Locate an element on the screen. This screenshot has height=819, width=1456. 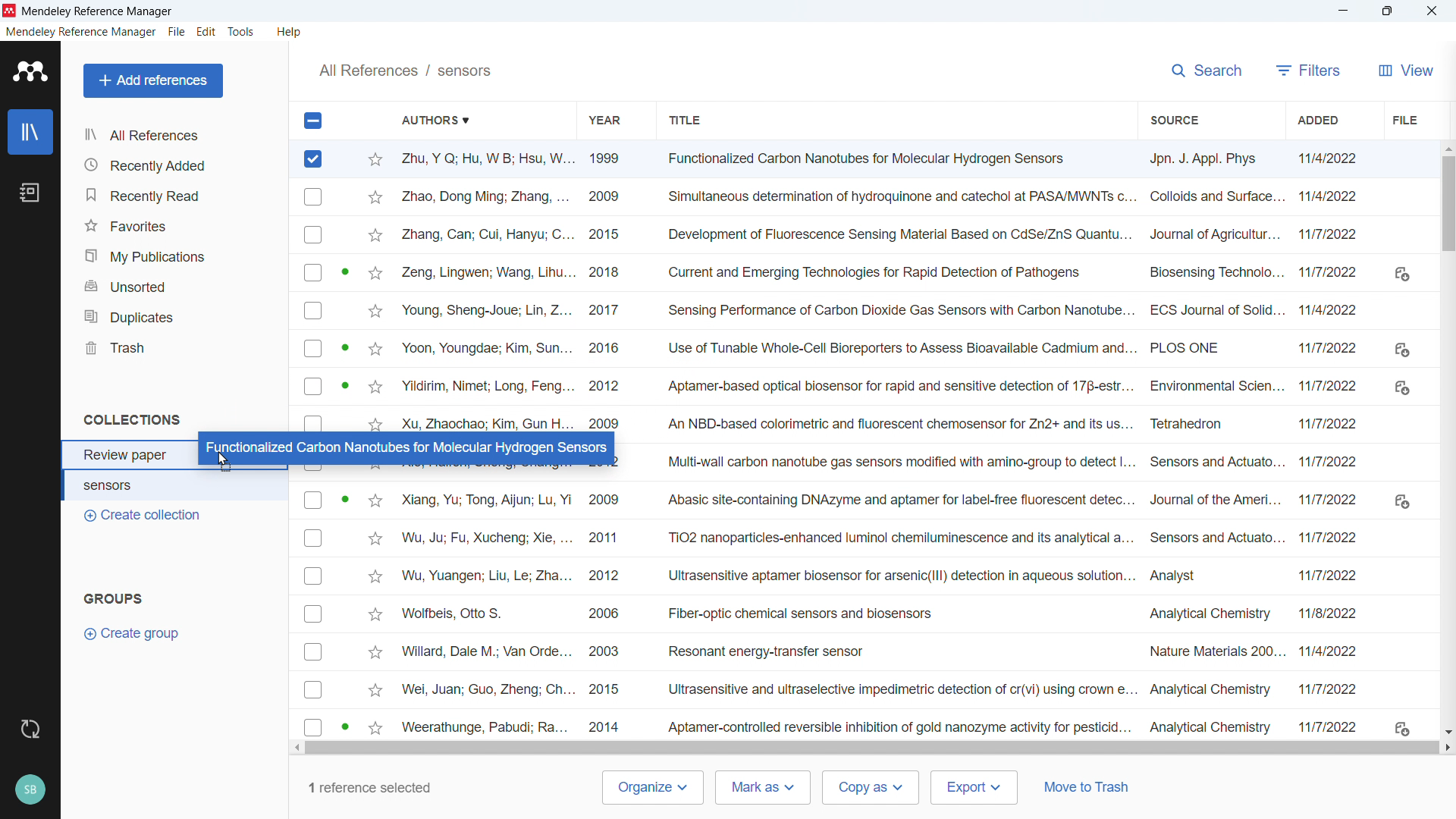
filters is located at coordinates (1307, 70).